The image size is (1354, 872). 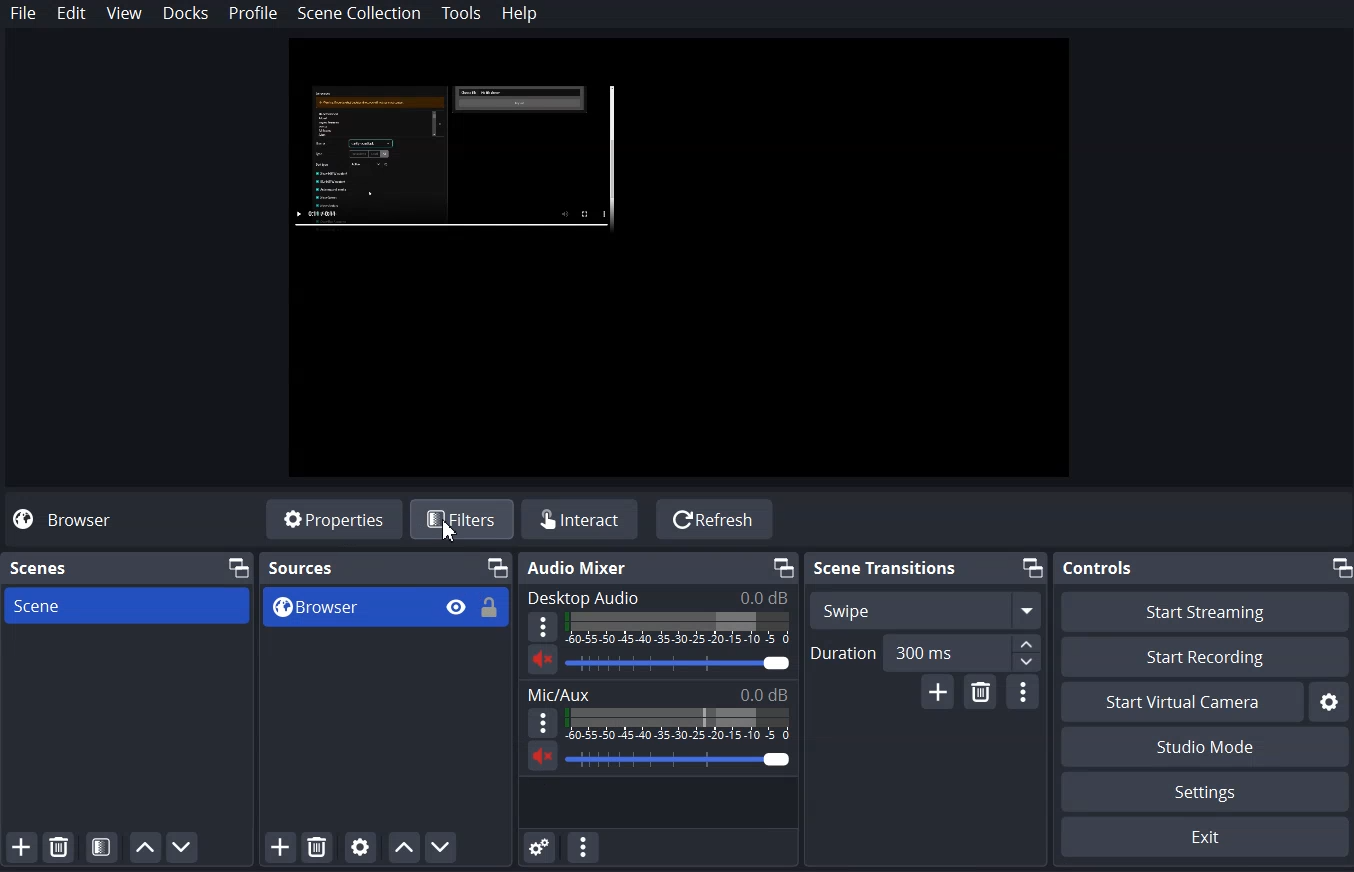 What do you see at coordinates (784, 568) in the screenshot?
I see `Maximize` at bounding box center [784, 568].